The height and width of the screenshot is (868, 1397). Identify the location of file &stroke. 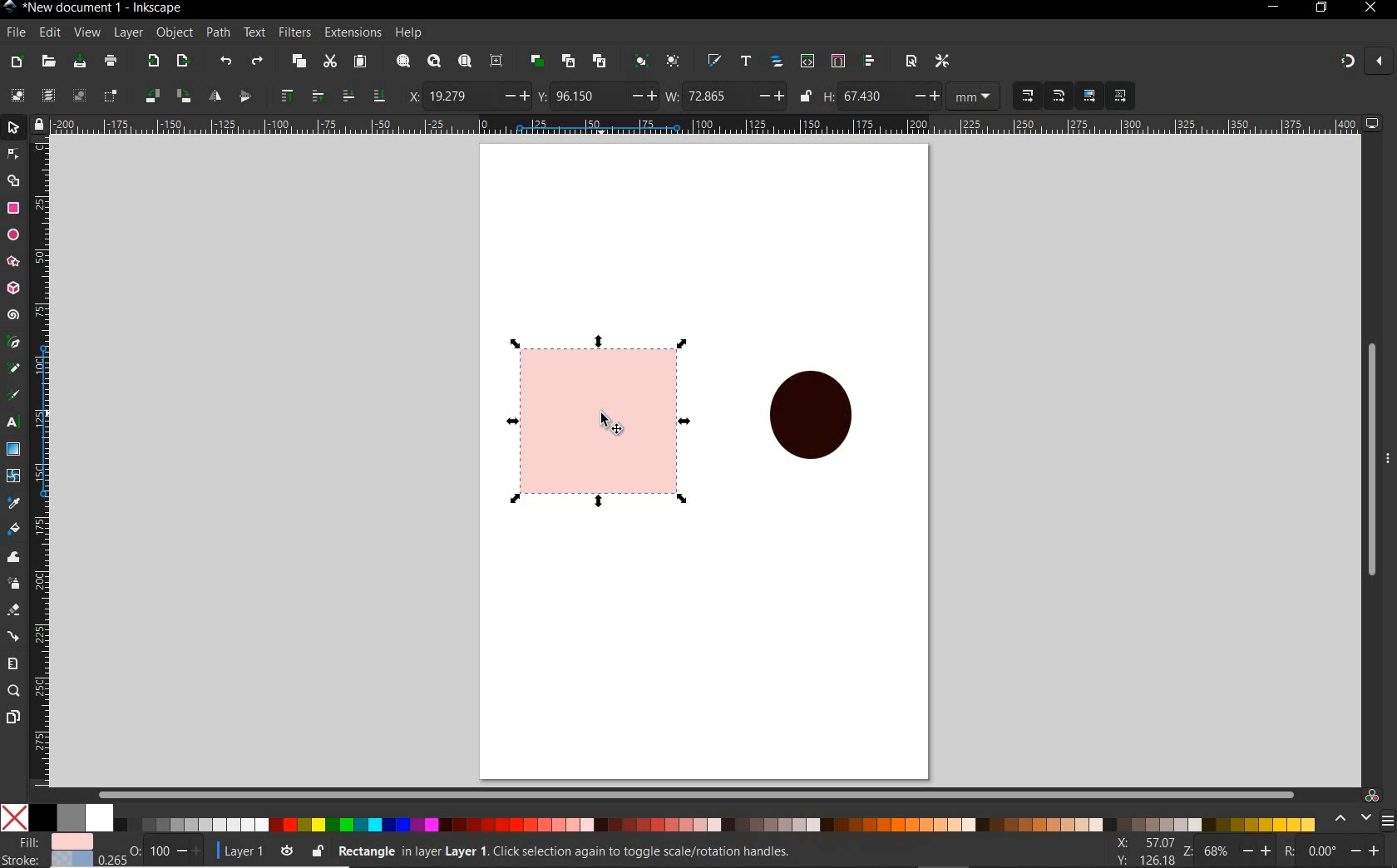
(47, 852).